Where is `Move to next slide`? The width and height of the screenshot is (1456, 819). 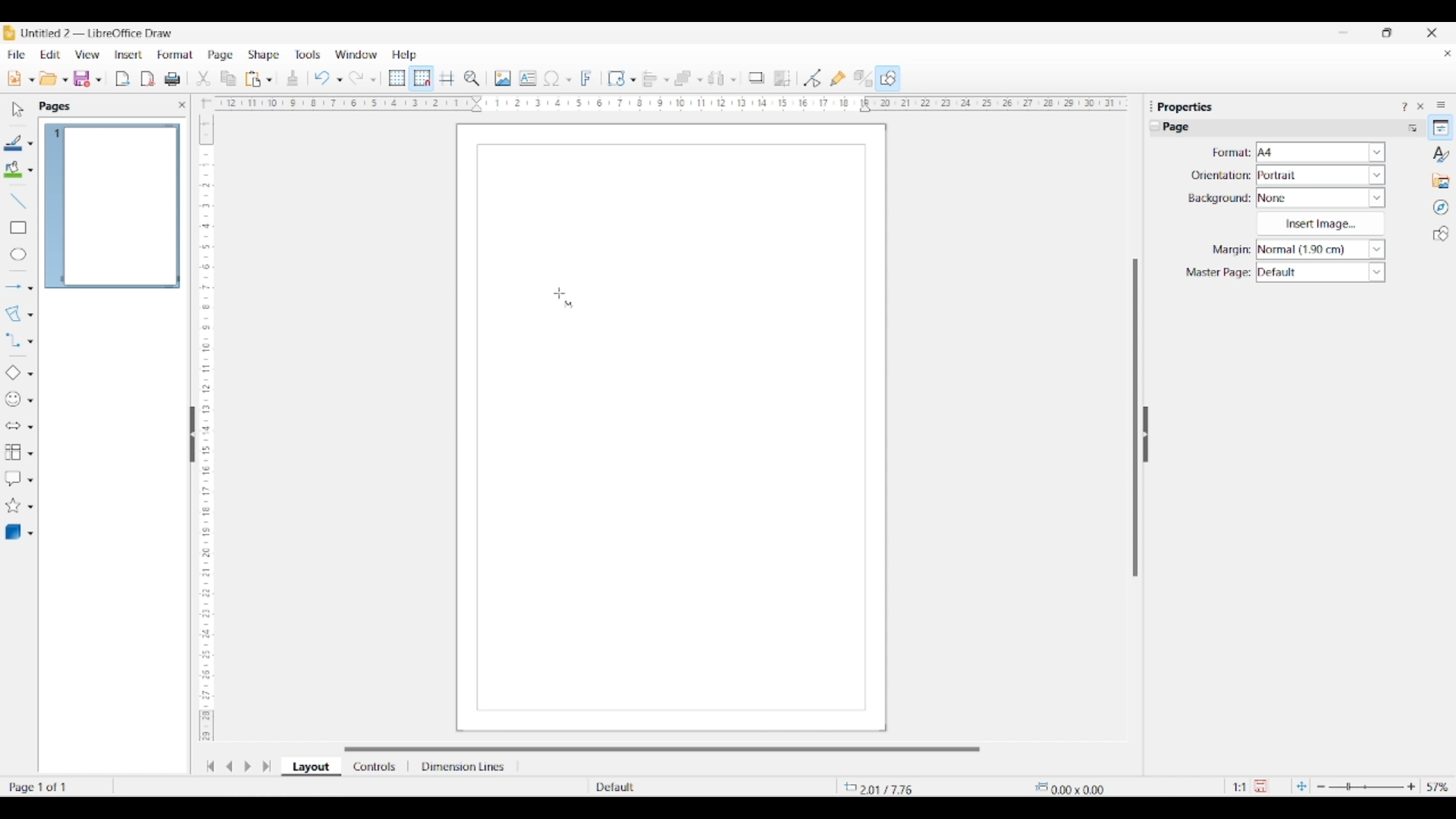
Move to next slide is located at coordinates (247, 767).